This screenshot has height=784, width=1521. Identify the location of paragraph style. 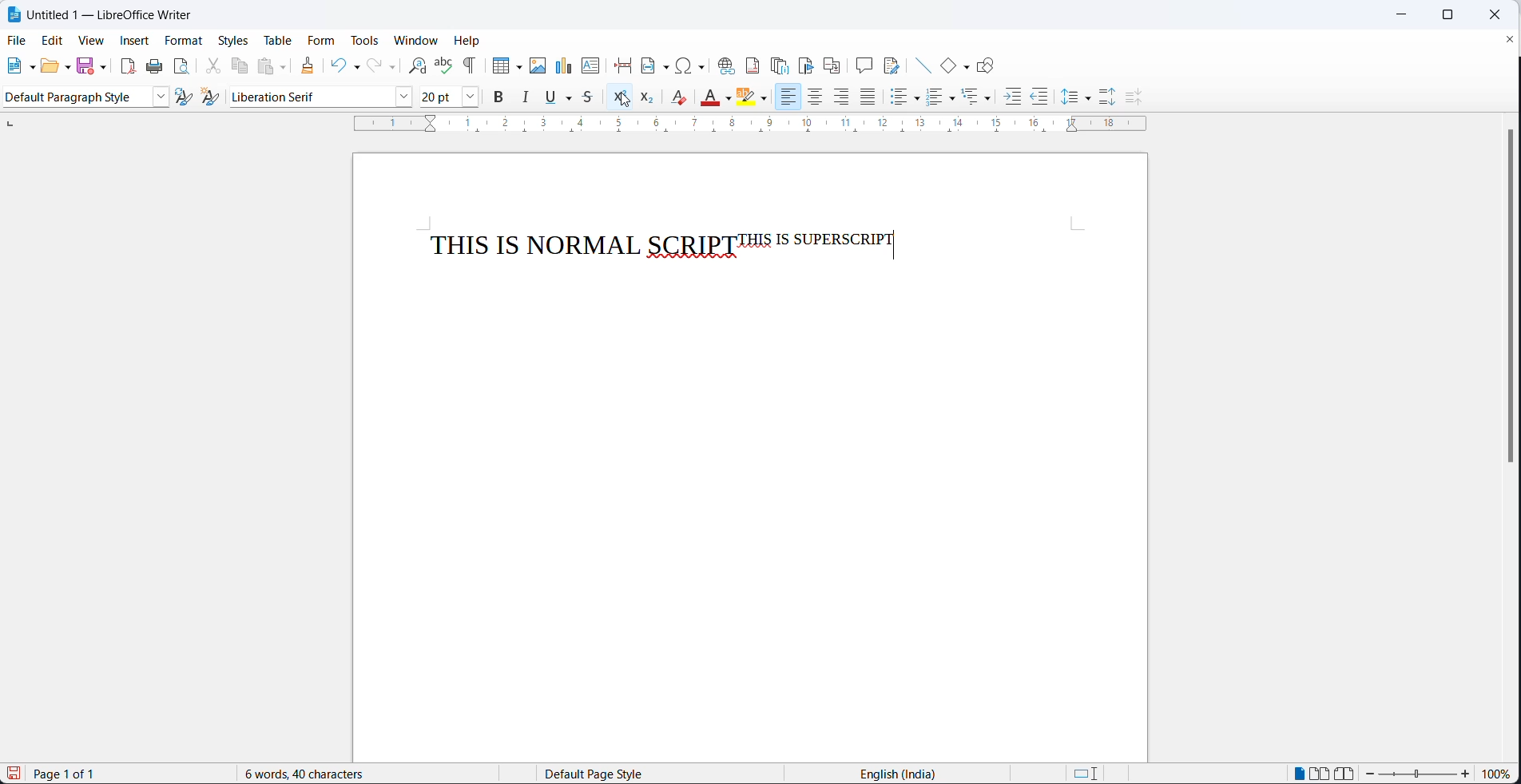
(163, 97).